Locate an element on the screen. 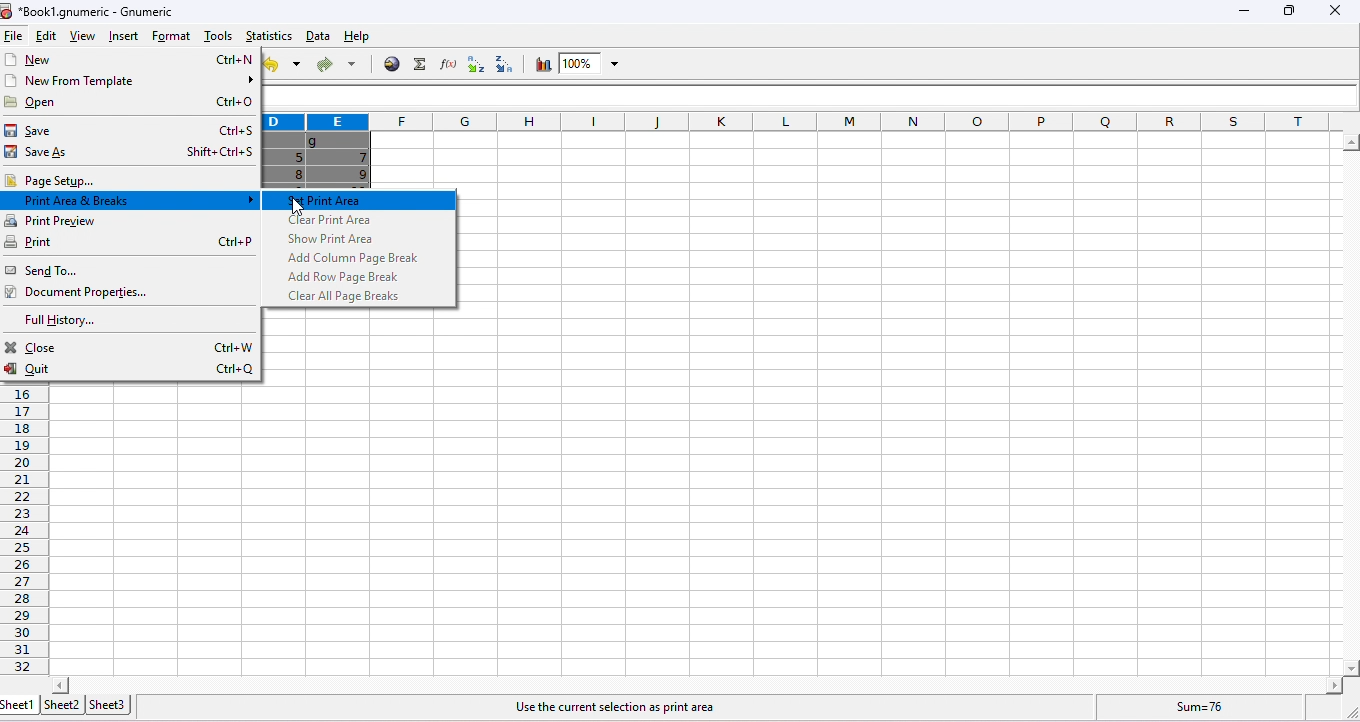 This screenshot has width=1360, height=722. maximize is located at coordinates (1286, 11).